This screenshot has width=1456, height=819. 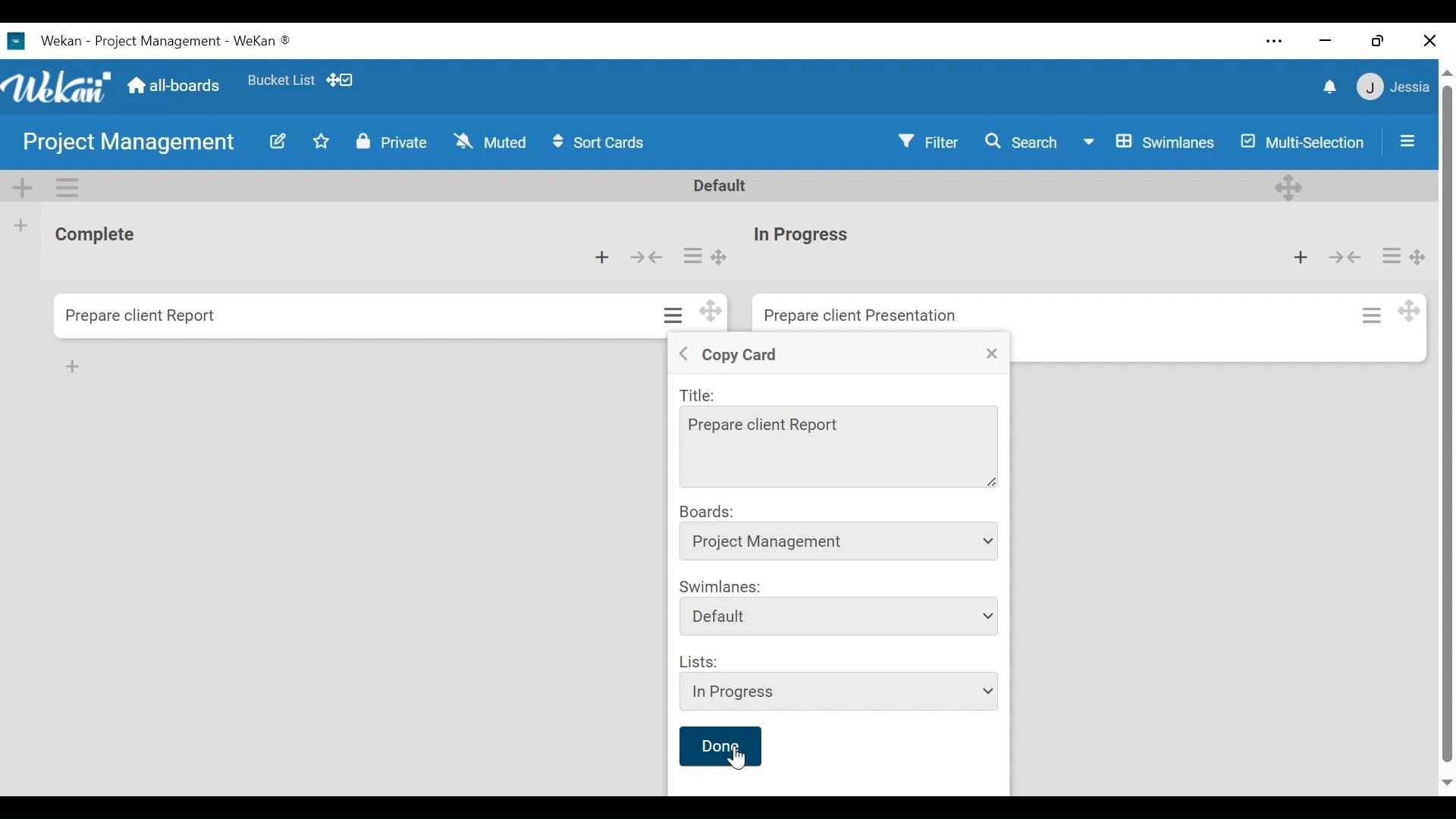 What do you see at coordinates (700, 659) in the screenshot?
I see `Lists` at bounding box center [700, 659].